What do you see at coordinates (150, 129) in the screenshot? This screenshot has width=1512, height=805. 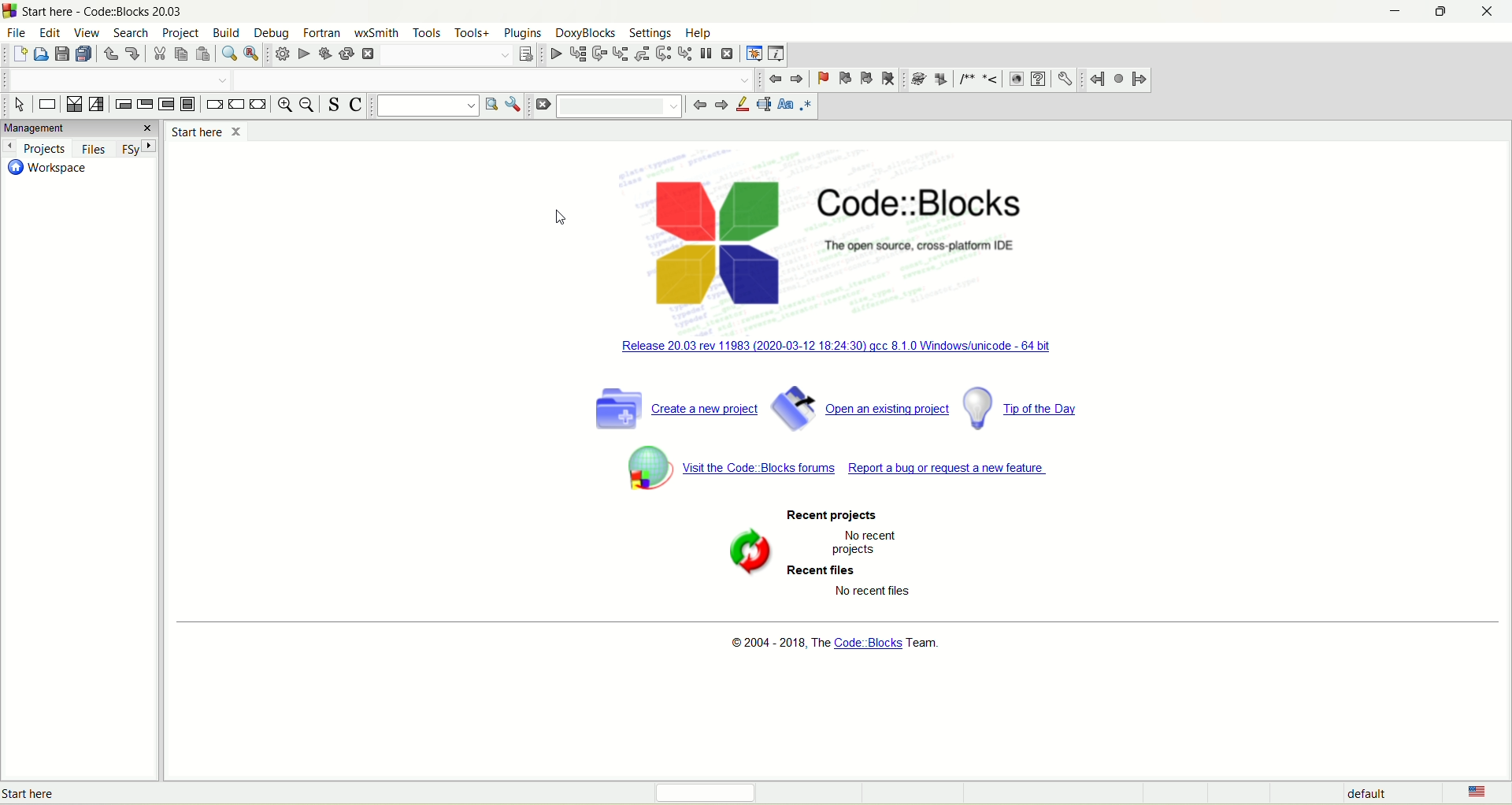 I see `close` at bounding box center [150, 129].